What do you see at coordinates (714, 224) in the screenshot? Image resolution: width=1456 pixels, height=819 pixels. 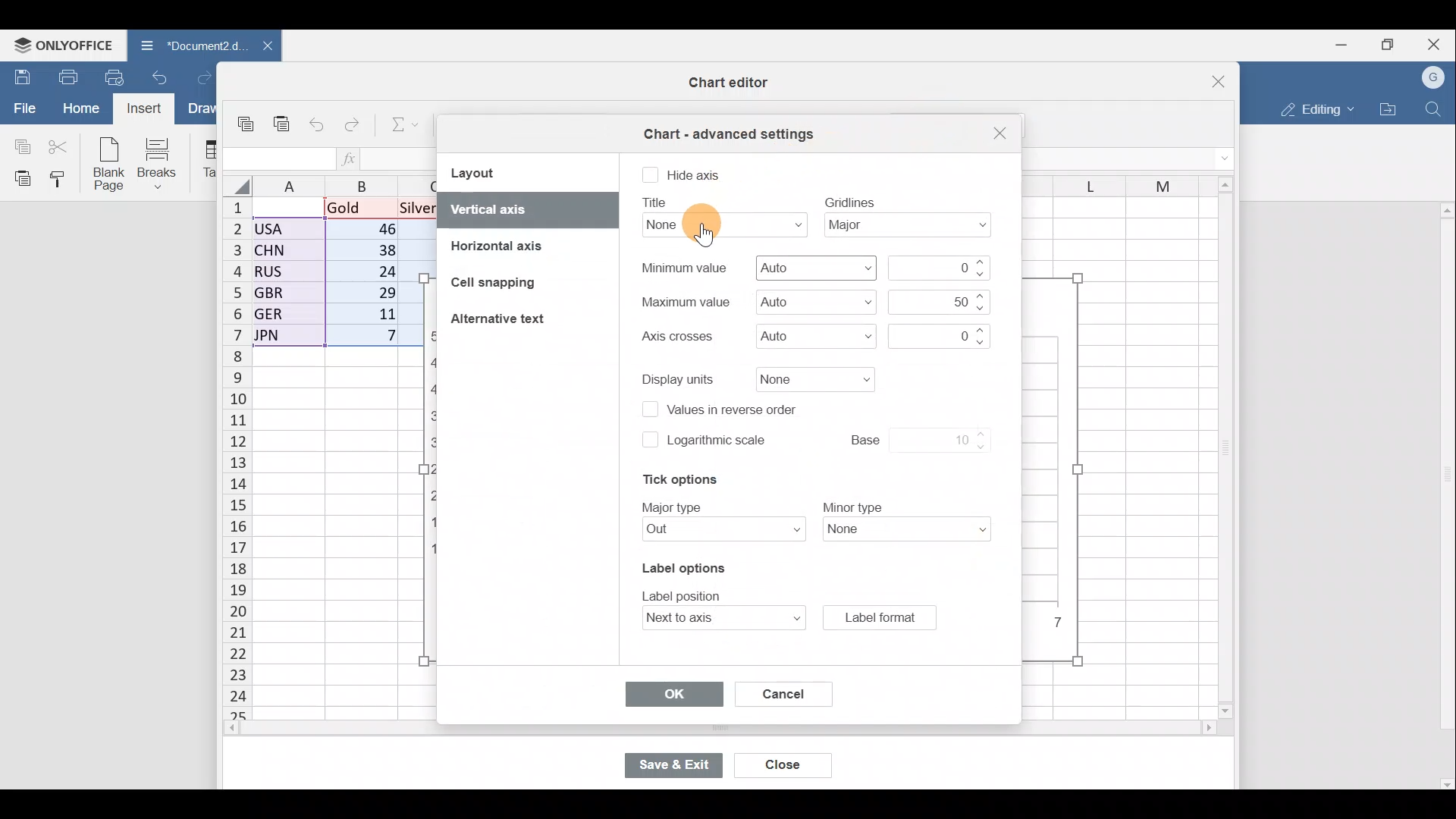 I see `Title` at bounding box center [714, 224].